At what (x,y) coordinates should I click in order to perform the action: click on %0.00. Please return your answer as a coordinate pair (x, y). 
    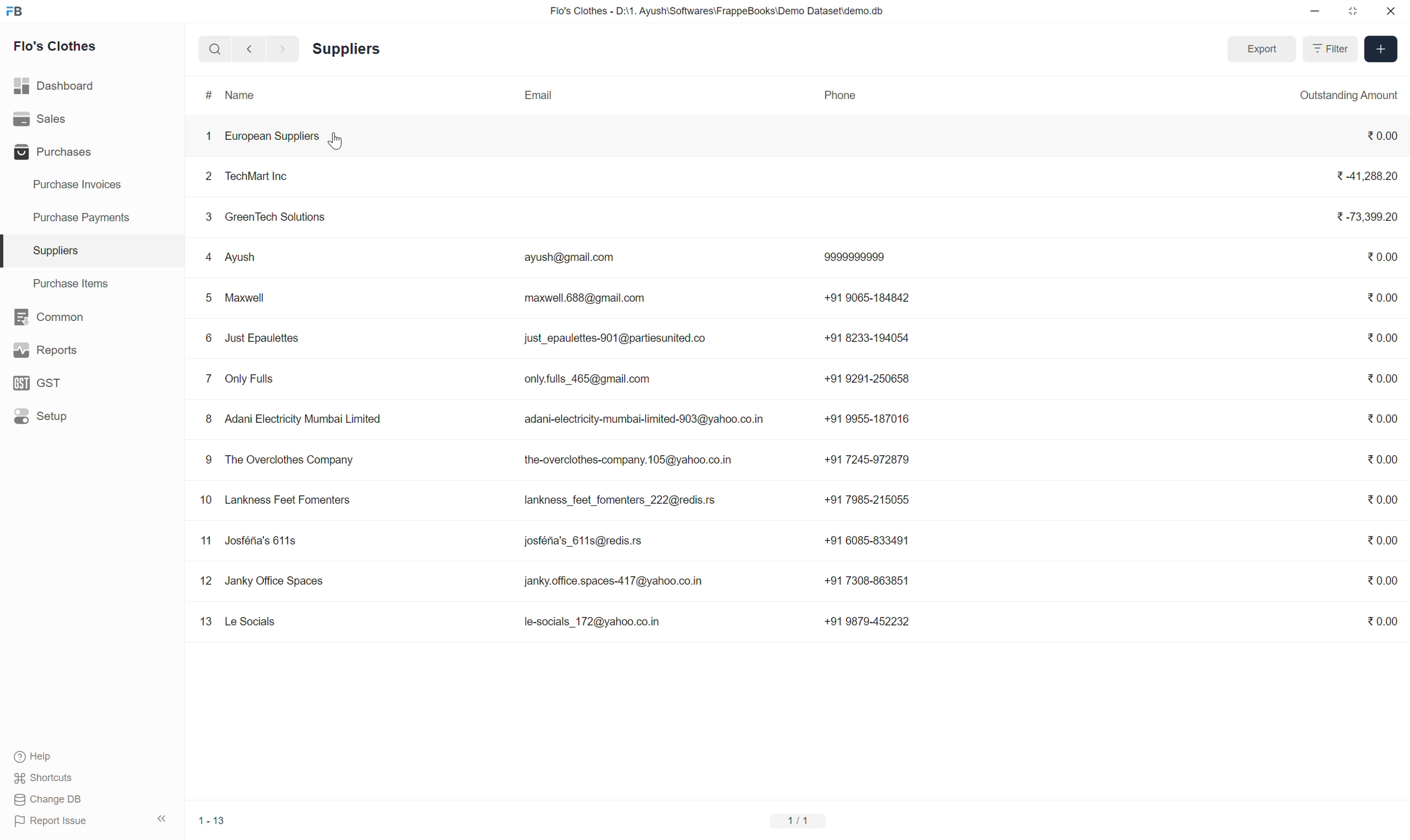
    Looking at the image, I should click on (1379, 621).